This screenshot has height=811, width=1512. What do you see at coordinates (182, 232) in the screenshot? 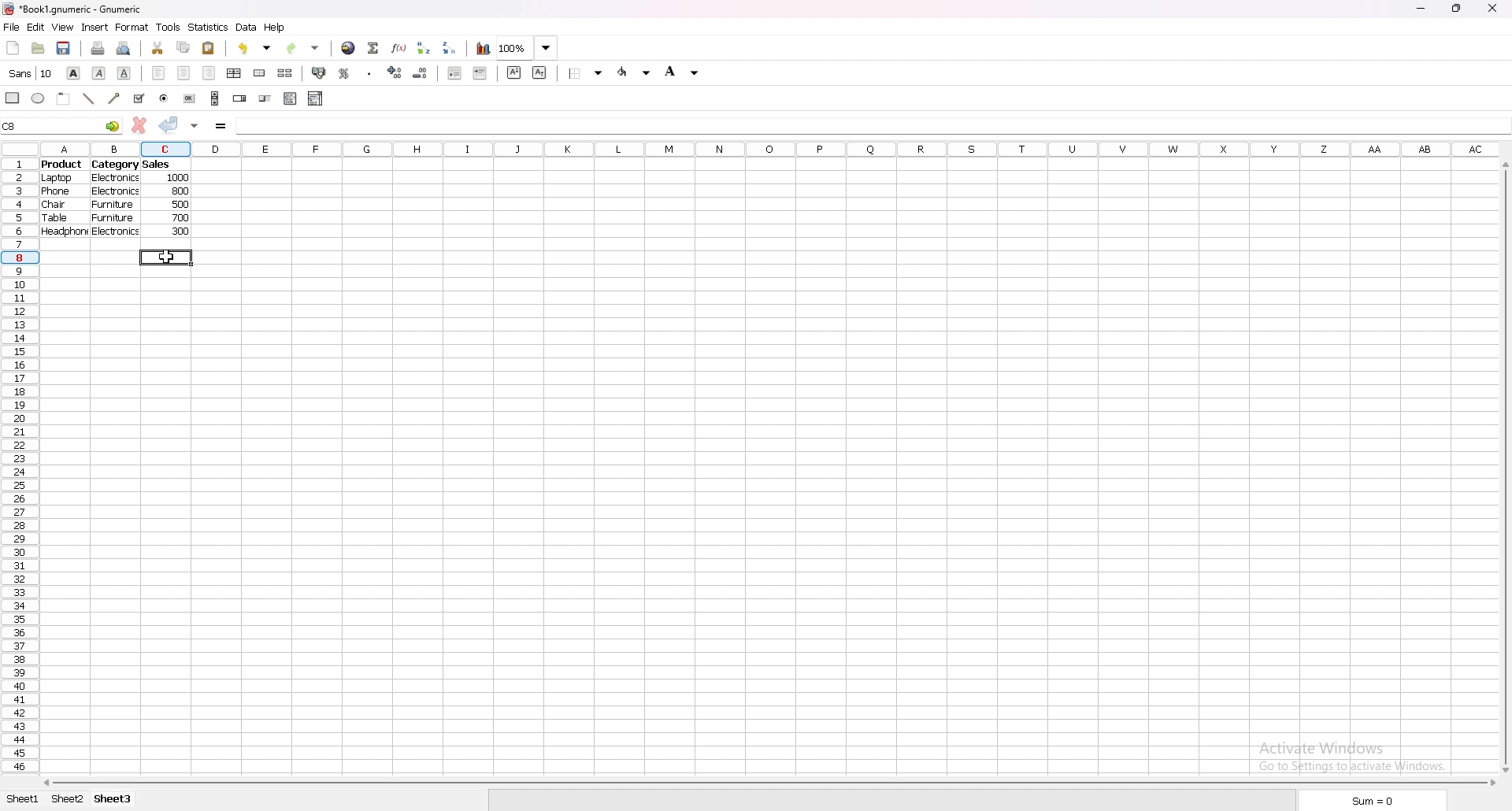
I see `300` at bounding box center [182, 232].